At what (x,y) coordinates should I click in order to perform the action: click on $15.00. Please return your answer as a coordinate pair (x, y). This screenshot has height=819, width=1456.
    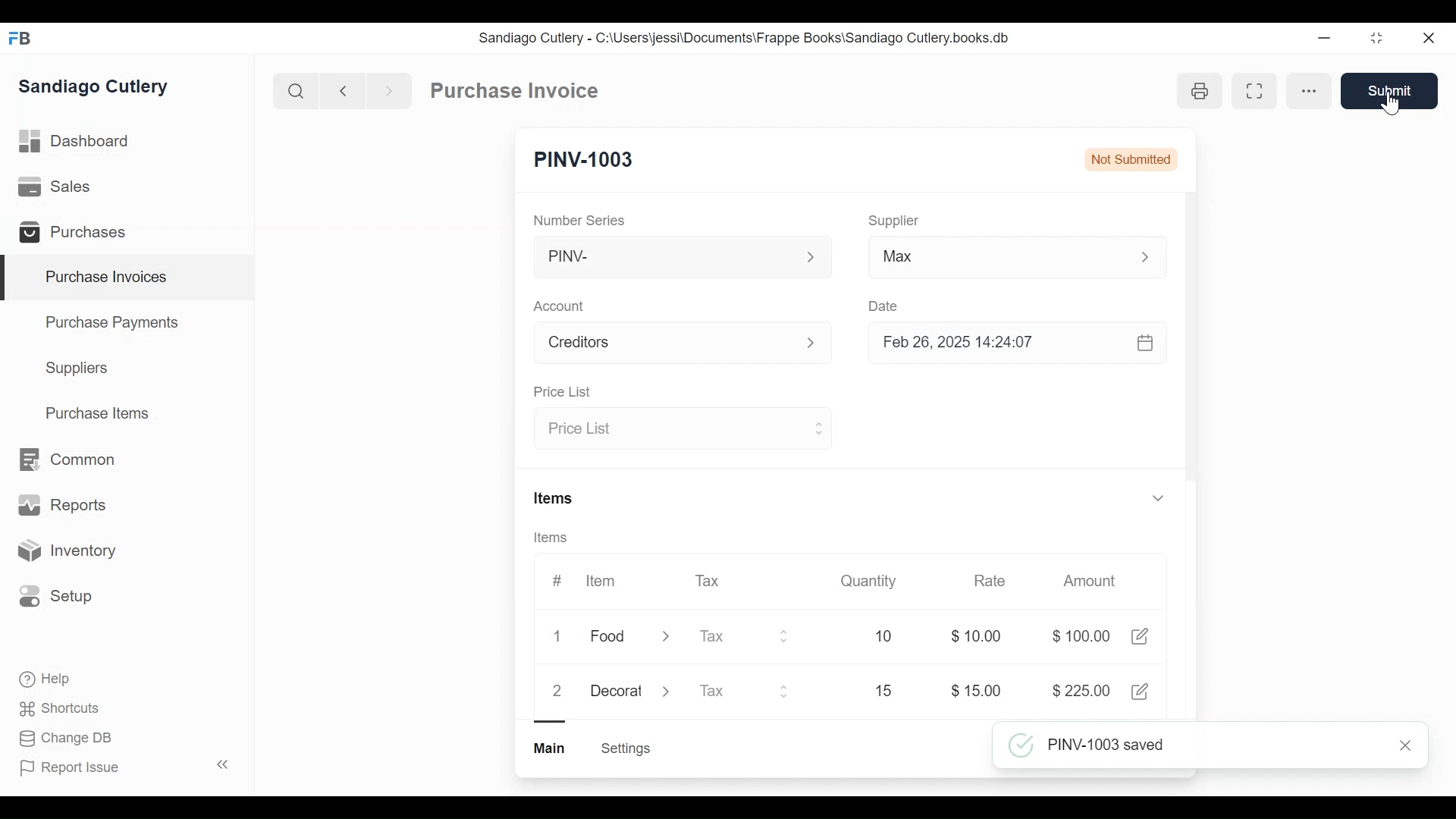
    Looking at the image, I should click on (976, 691).